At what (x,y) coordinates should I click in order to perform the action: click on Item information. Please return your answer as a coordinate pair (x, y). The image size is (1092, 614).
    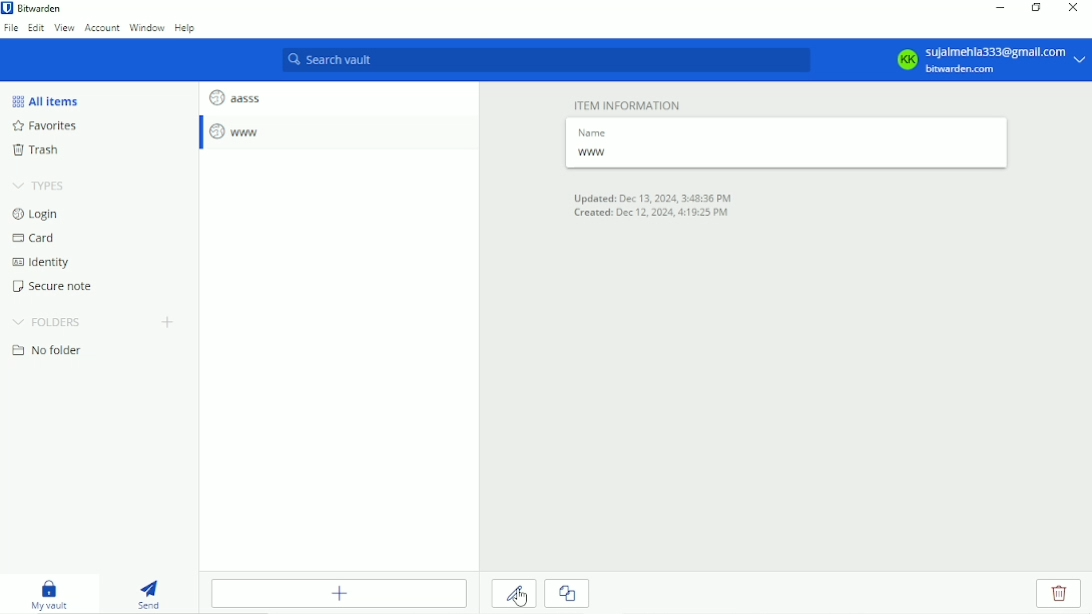
    Looking at the image, I should click on (621, 102).